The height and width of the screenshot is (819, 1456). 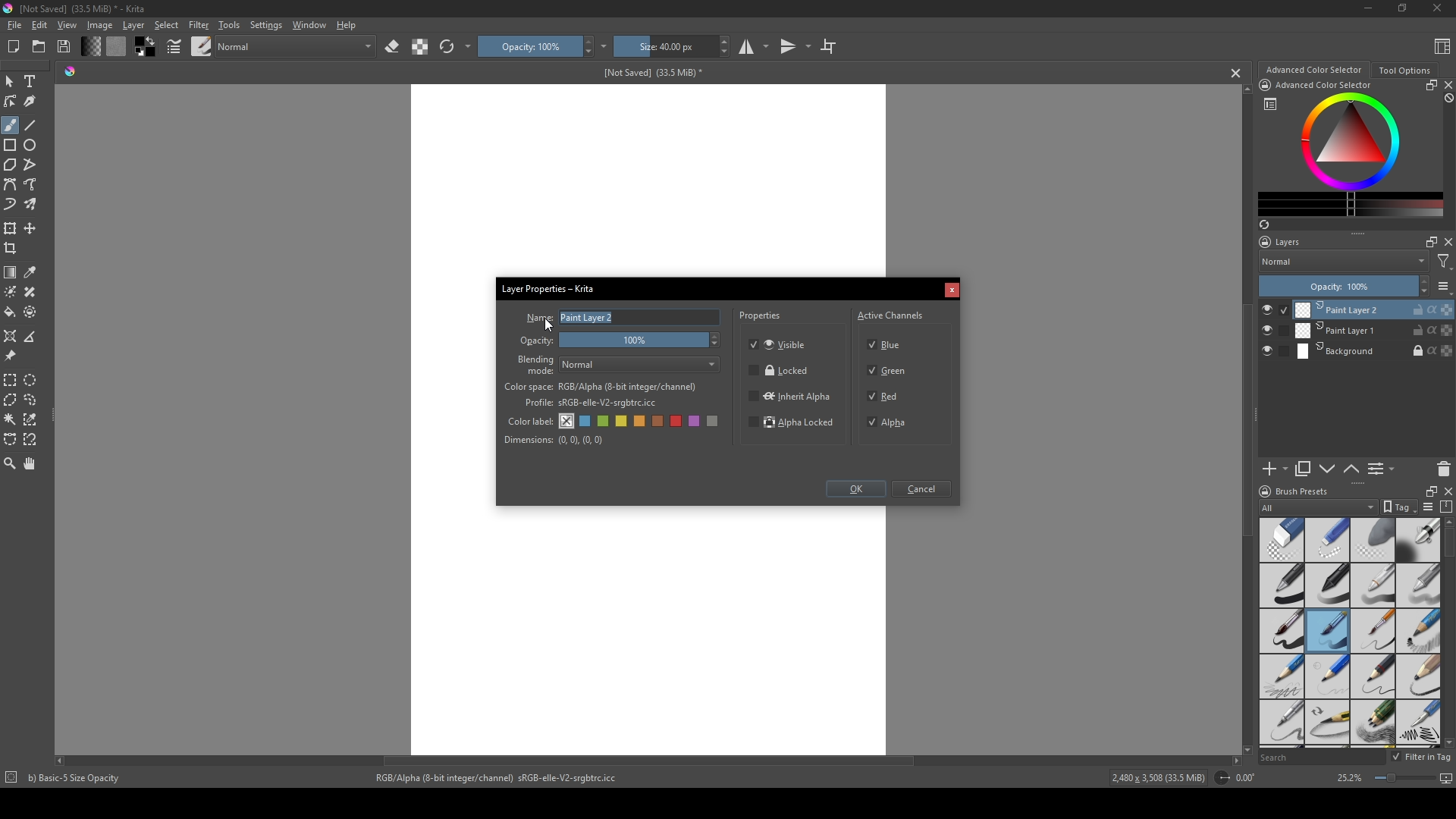 What do you see at coordinates (1327, 631) in the screenshot?
I see `medium brush` at bounding box center [1327, 631].